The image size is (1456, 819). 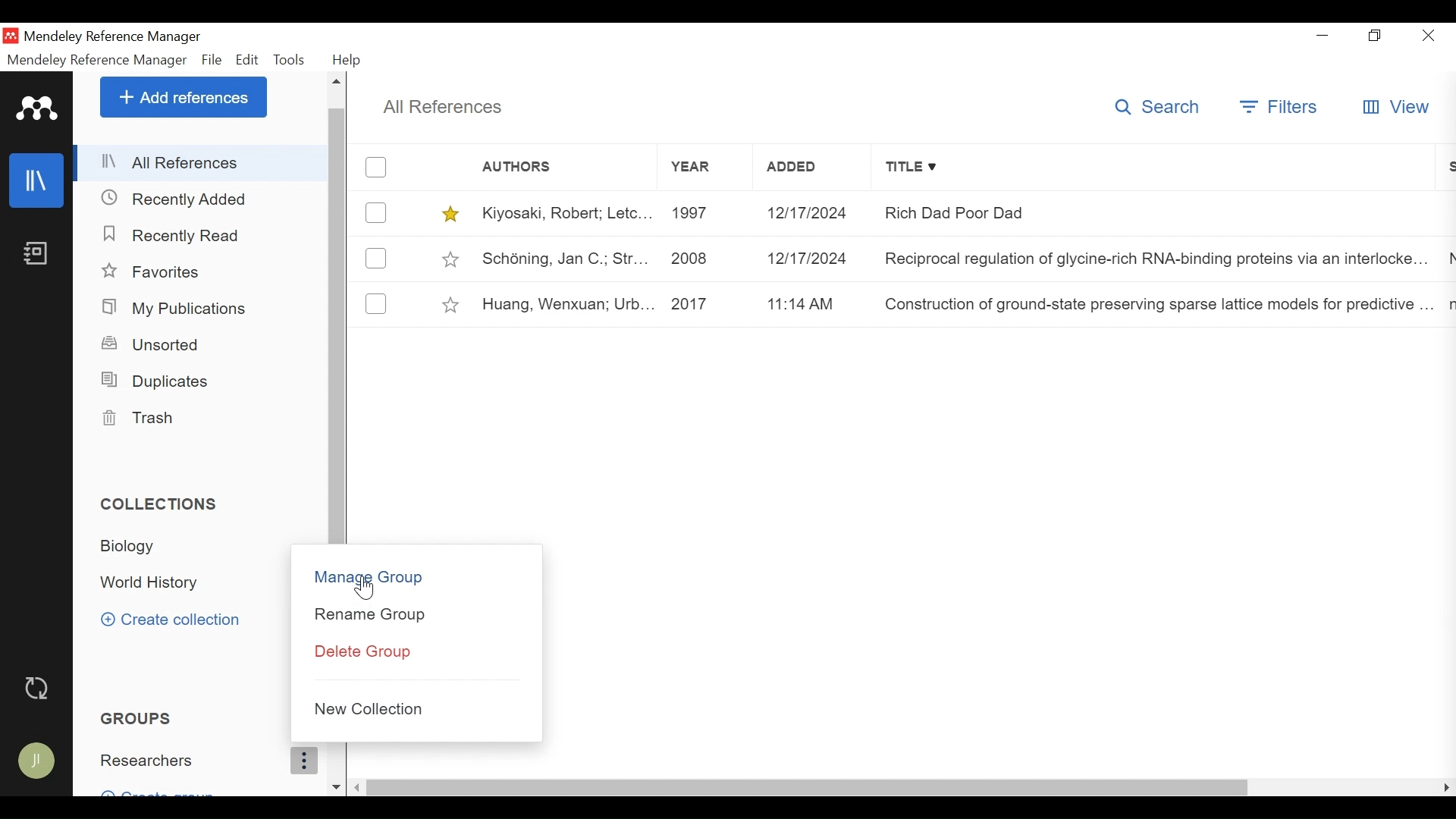 What do you see at coordinates (706, 304) in the screenshot?
I see `2017` at bounding box center [706, 304].